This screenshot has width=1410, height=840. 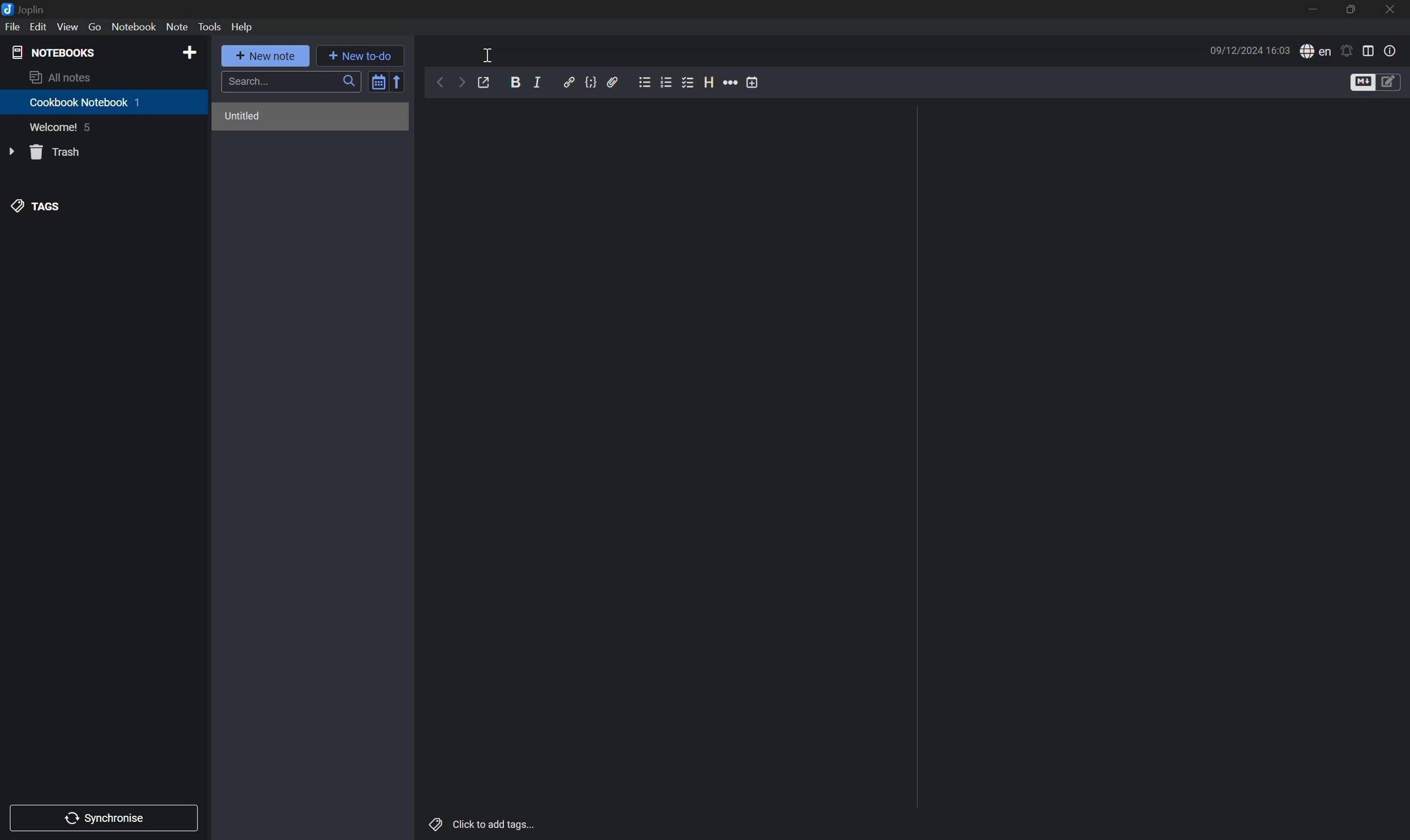 I want to click on Toggle editor layout, so click(x=1371, y=50).